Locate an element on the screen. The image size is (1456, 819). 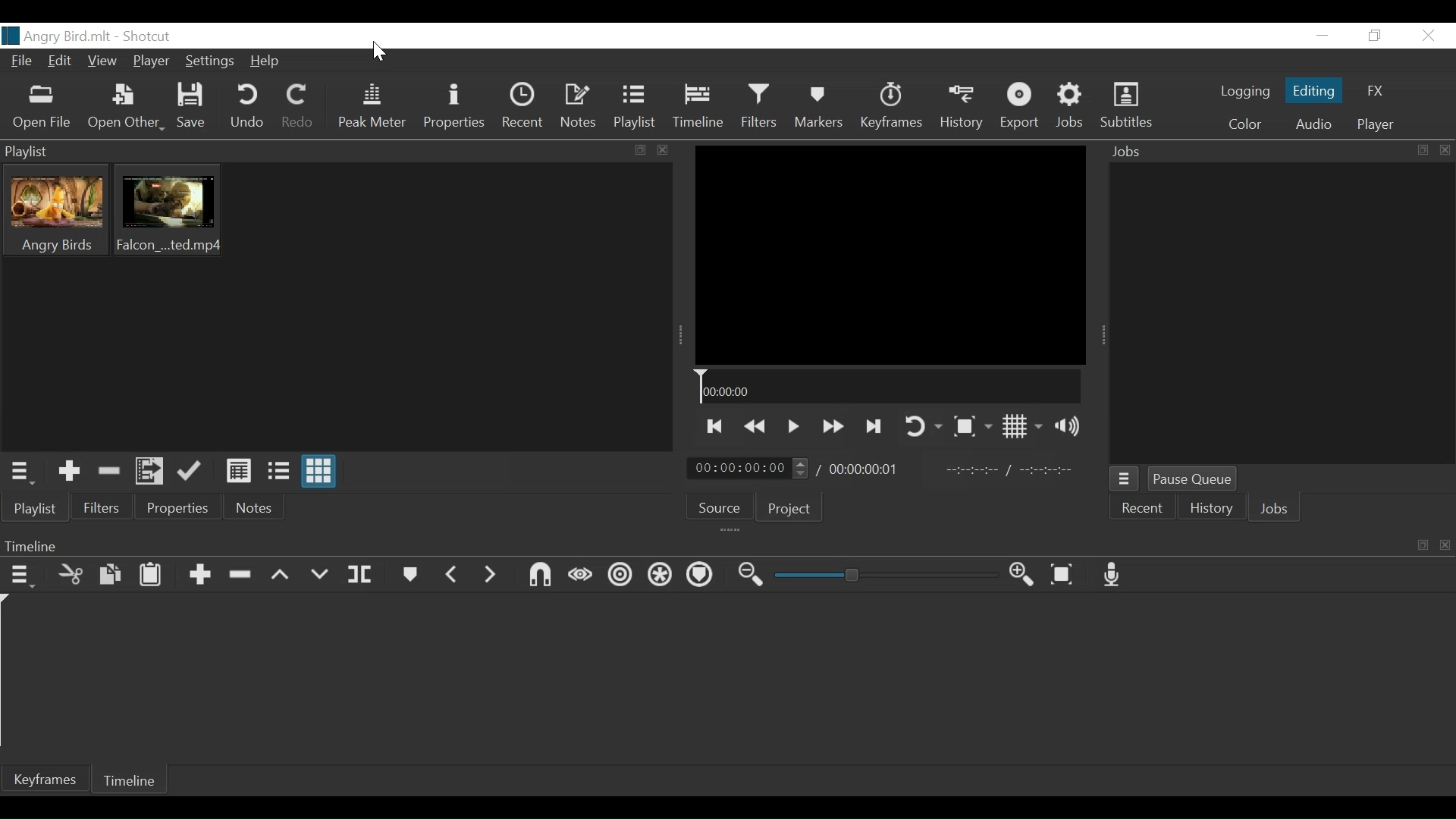
Markers is located at coordinates (821, 108).